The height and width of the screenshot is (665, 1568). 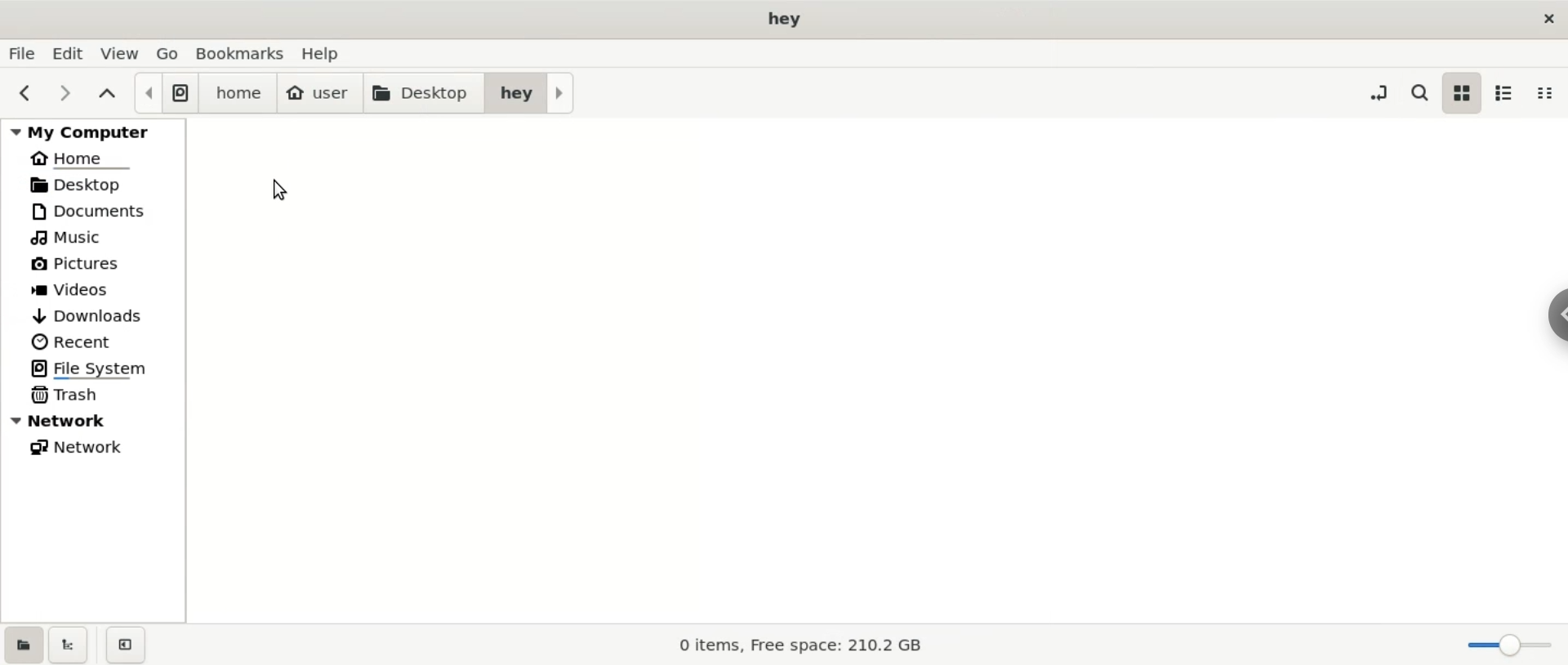 I want to click on icon view, so click(x=1463, y=94).